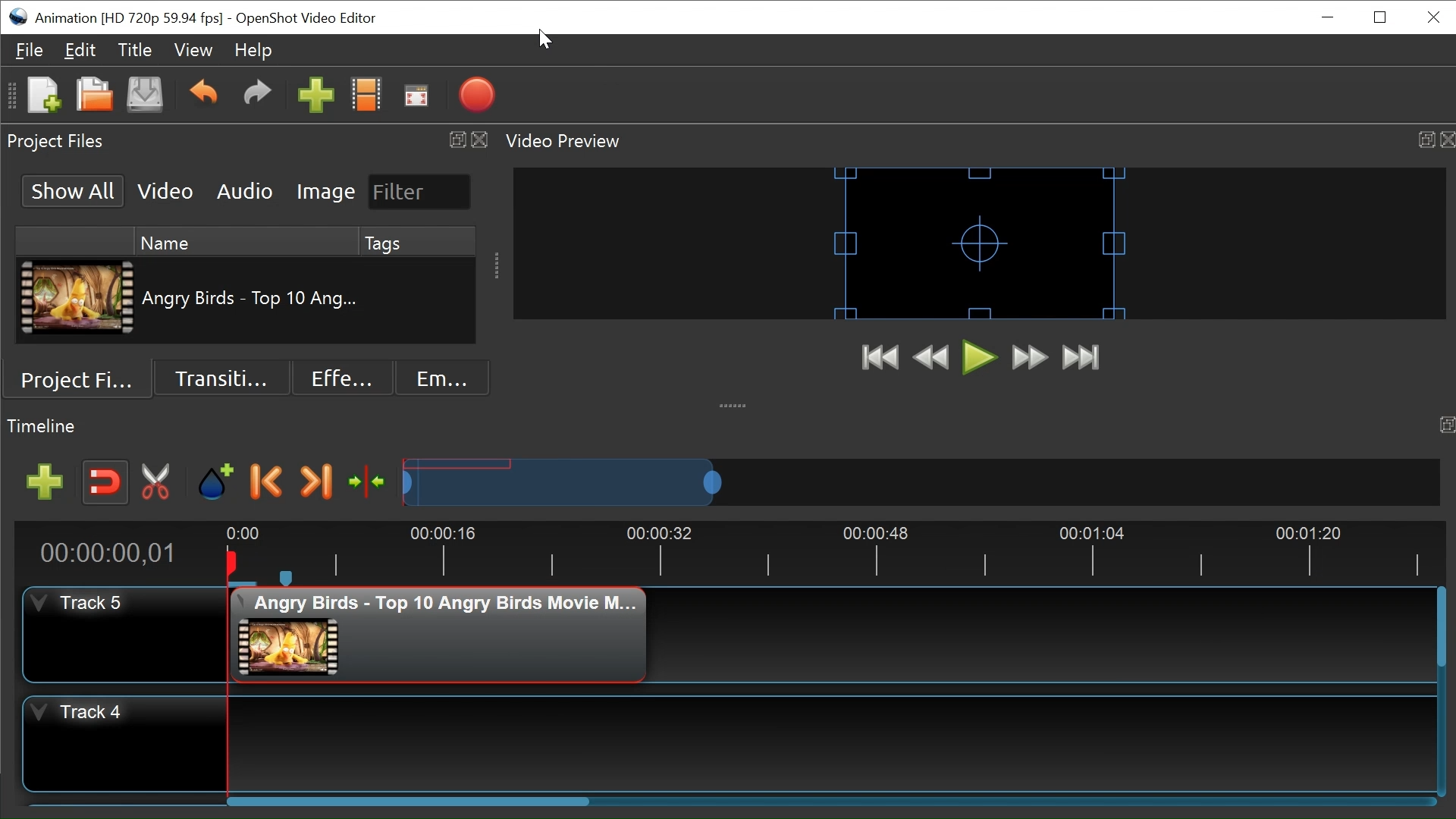  I want to click on Fullscreen, so click(417, 98).